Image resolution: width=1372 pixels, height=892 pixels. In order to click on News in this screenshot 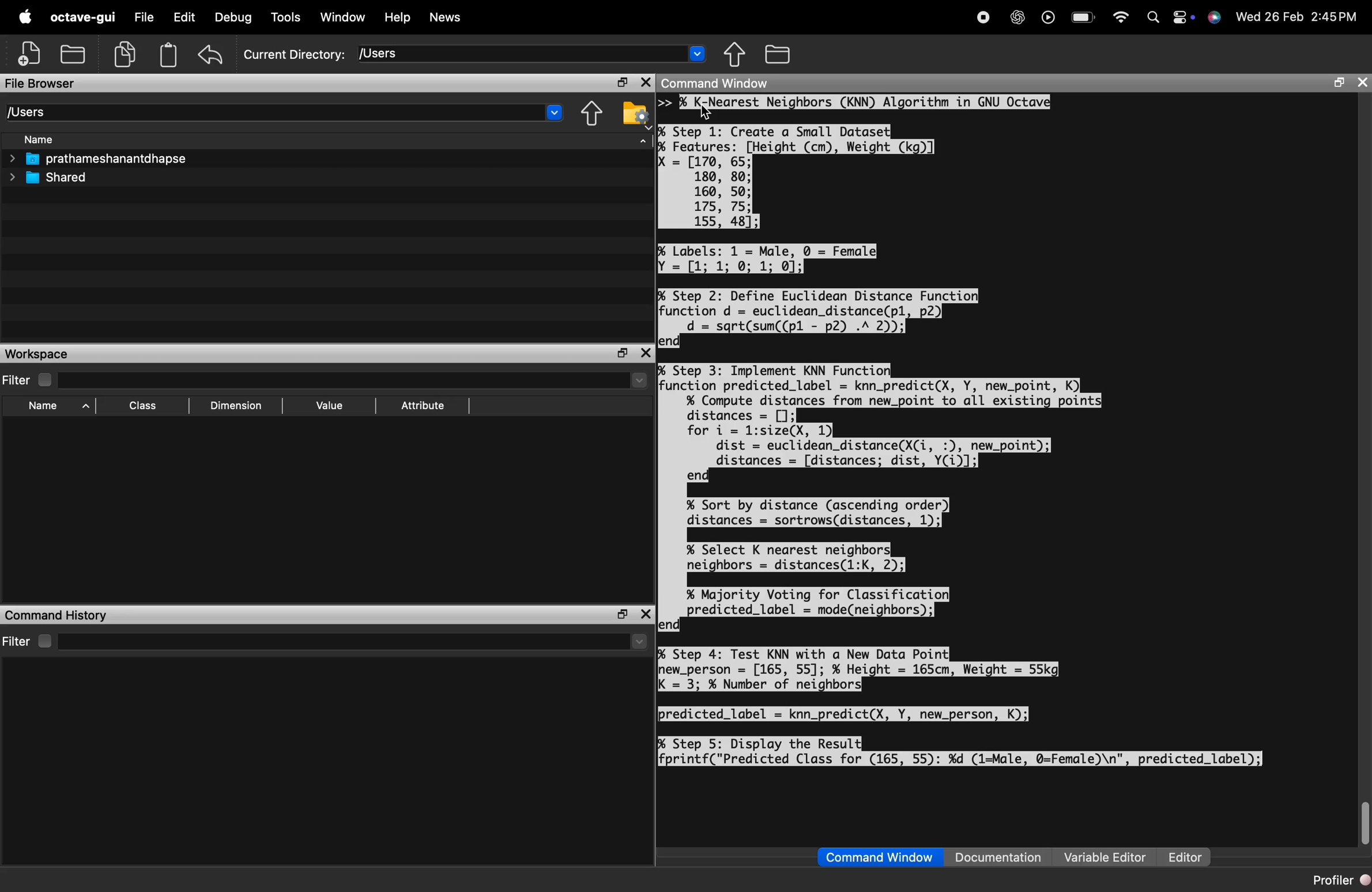, I will do `click(453, 17)`.